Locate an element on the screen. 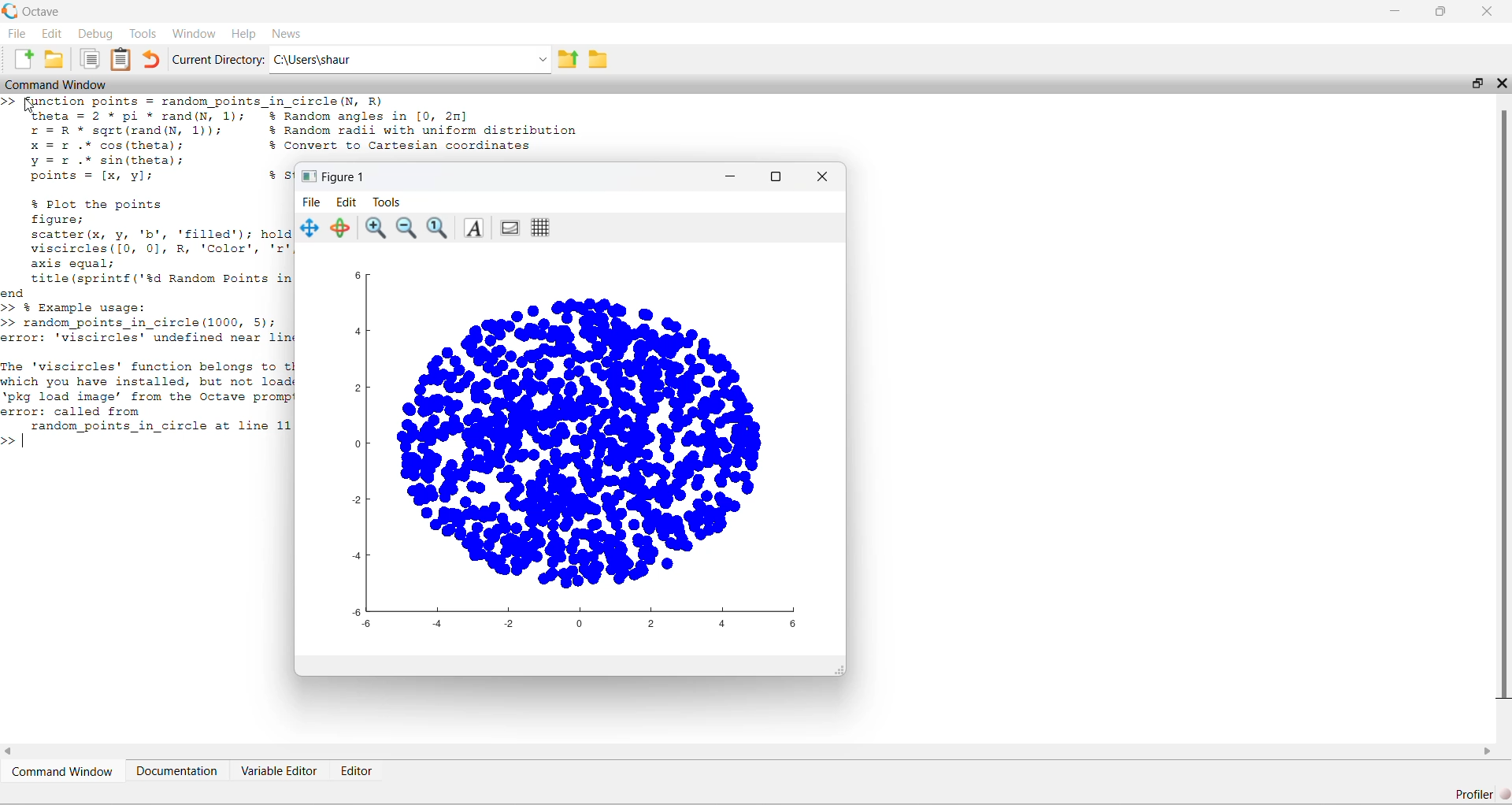  Enter directory name is located at coordinates (543, 59).